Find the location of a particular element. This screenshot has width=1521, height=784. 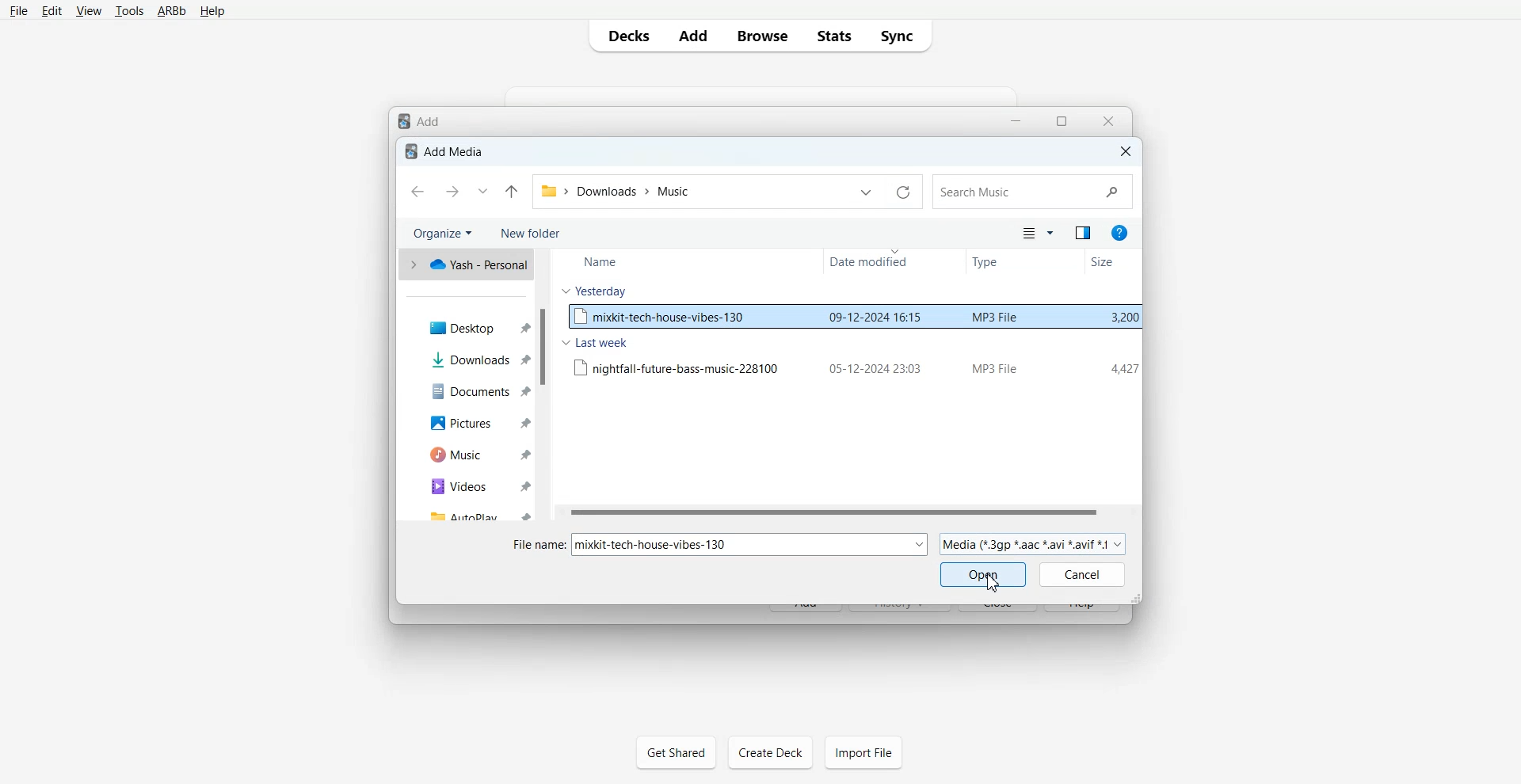

Go Forward is located at coordinates (452, 192).